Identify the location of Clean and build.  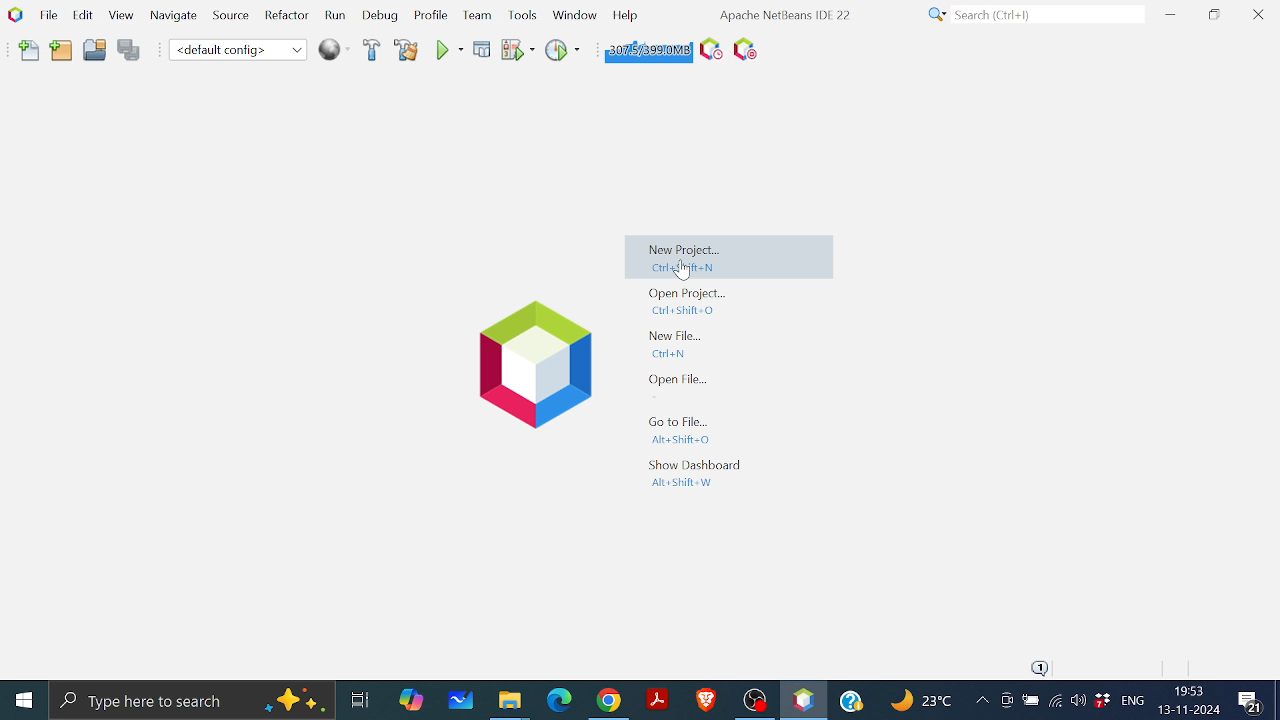
(406, 50).